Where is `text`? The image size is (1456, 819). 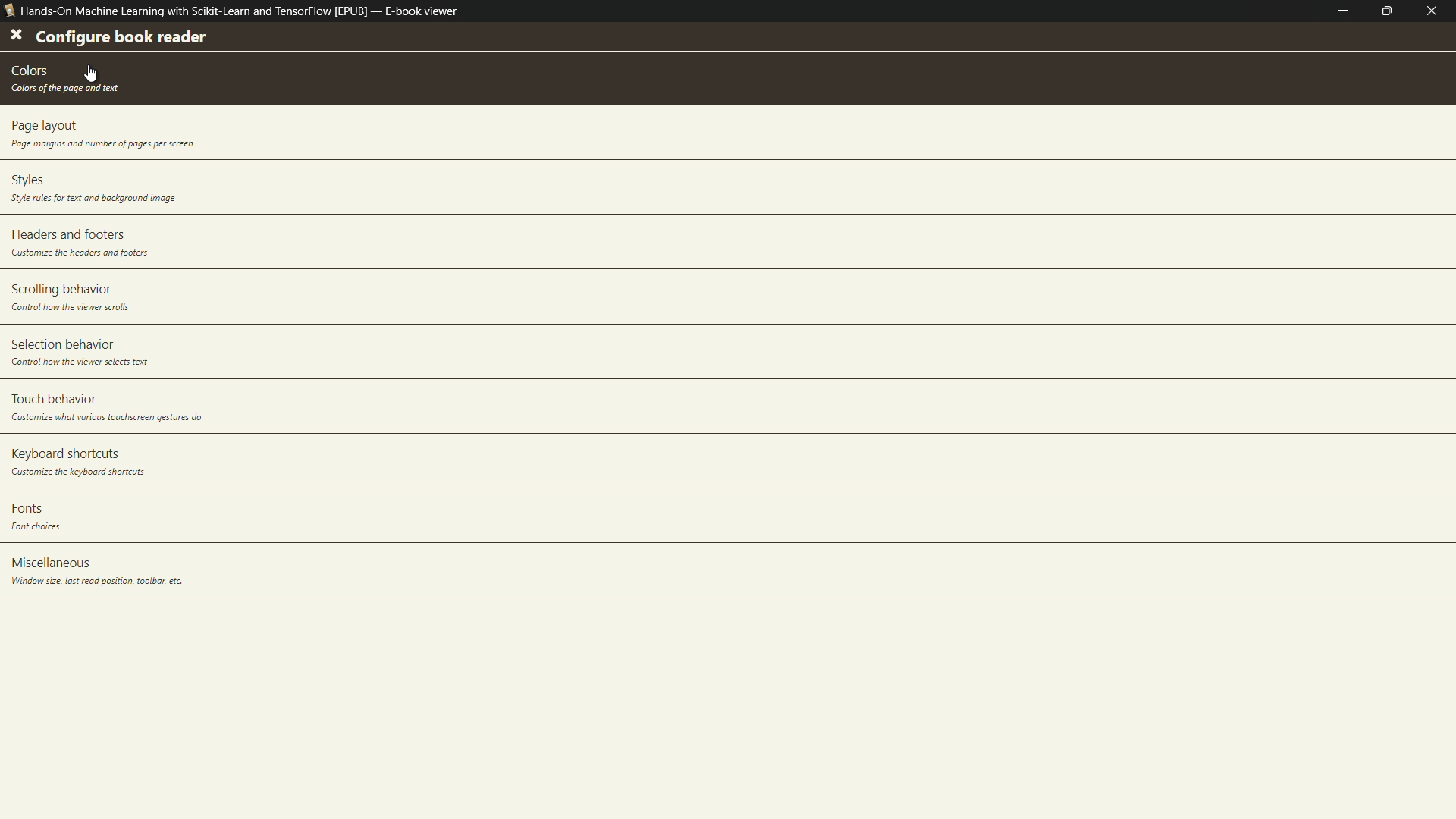 text is located at coordinates (74, 472).